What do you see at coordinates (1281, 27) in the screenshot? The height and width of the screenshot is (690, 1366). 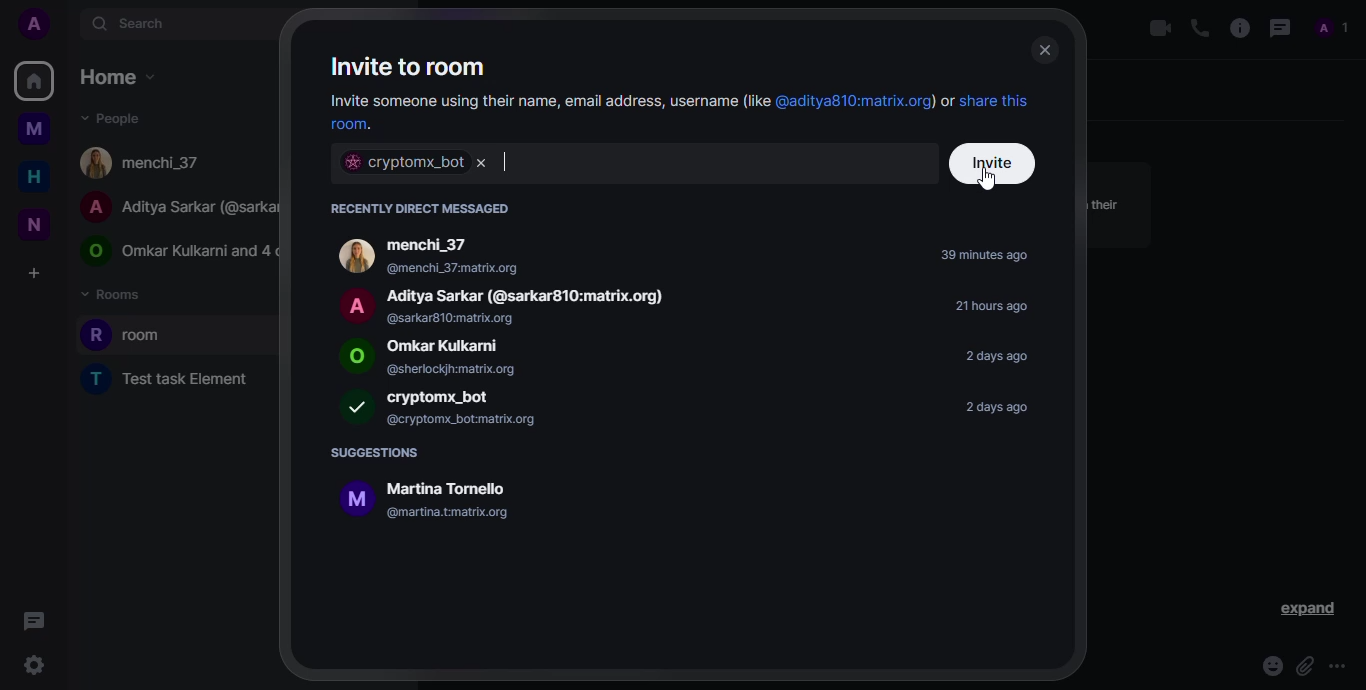 I see `threads` at bounding box center [1281, 27].